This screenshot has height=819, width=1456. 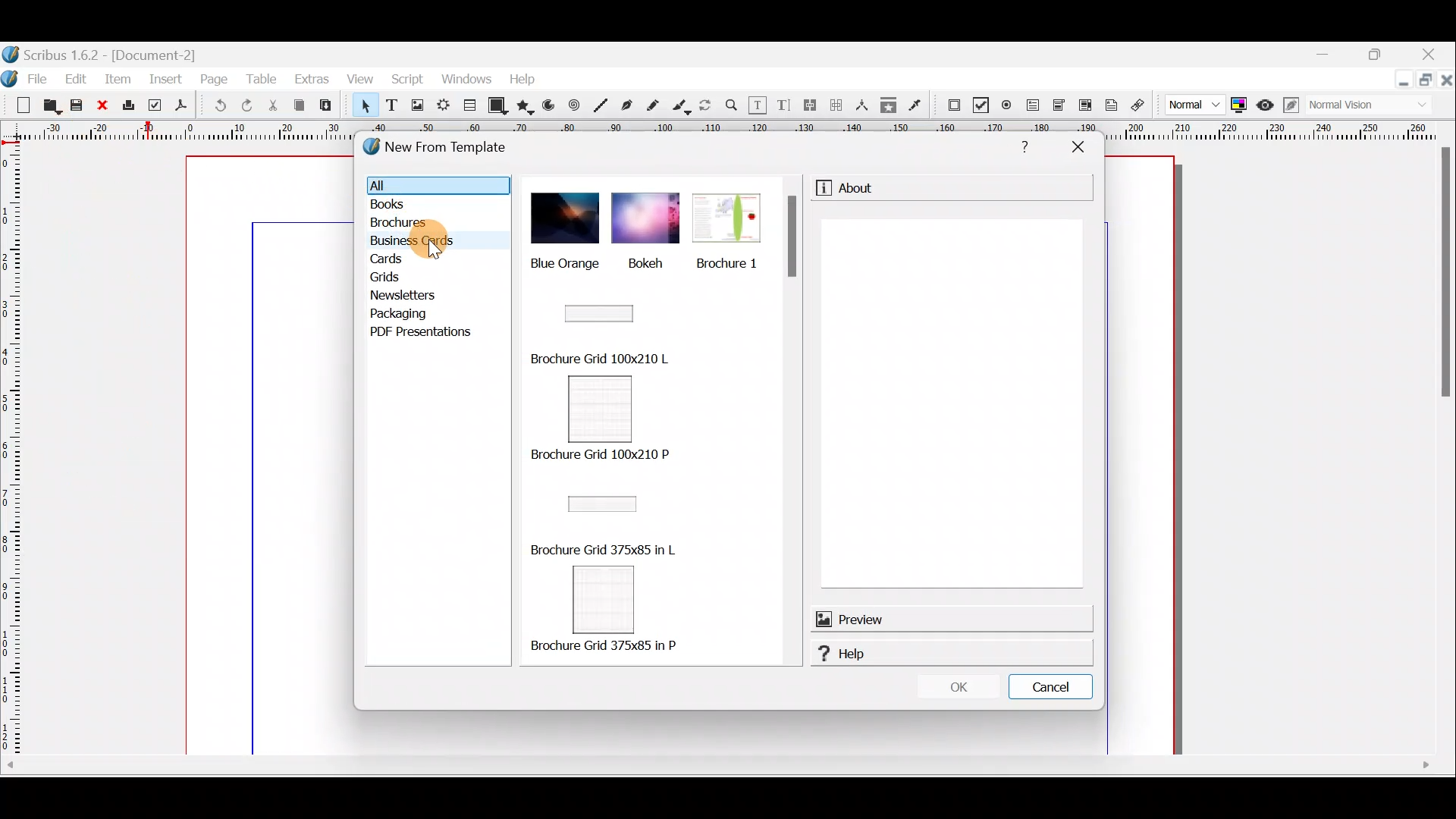 What do you see at coordinates (220, 106) in the screenshot?
I see `Undo` at bounding box center [220, 106].